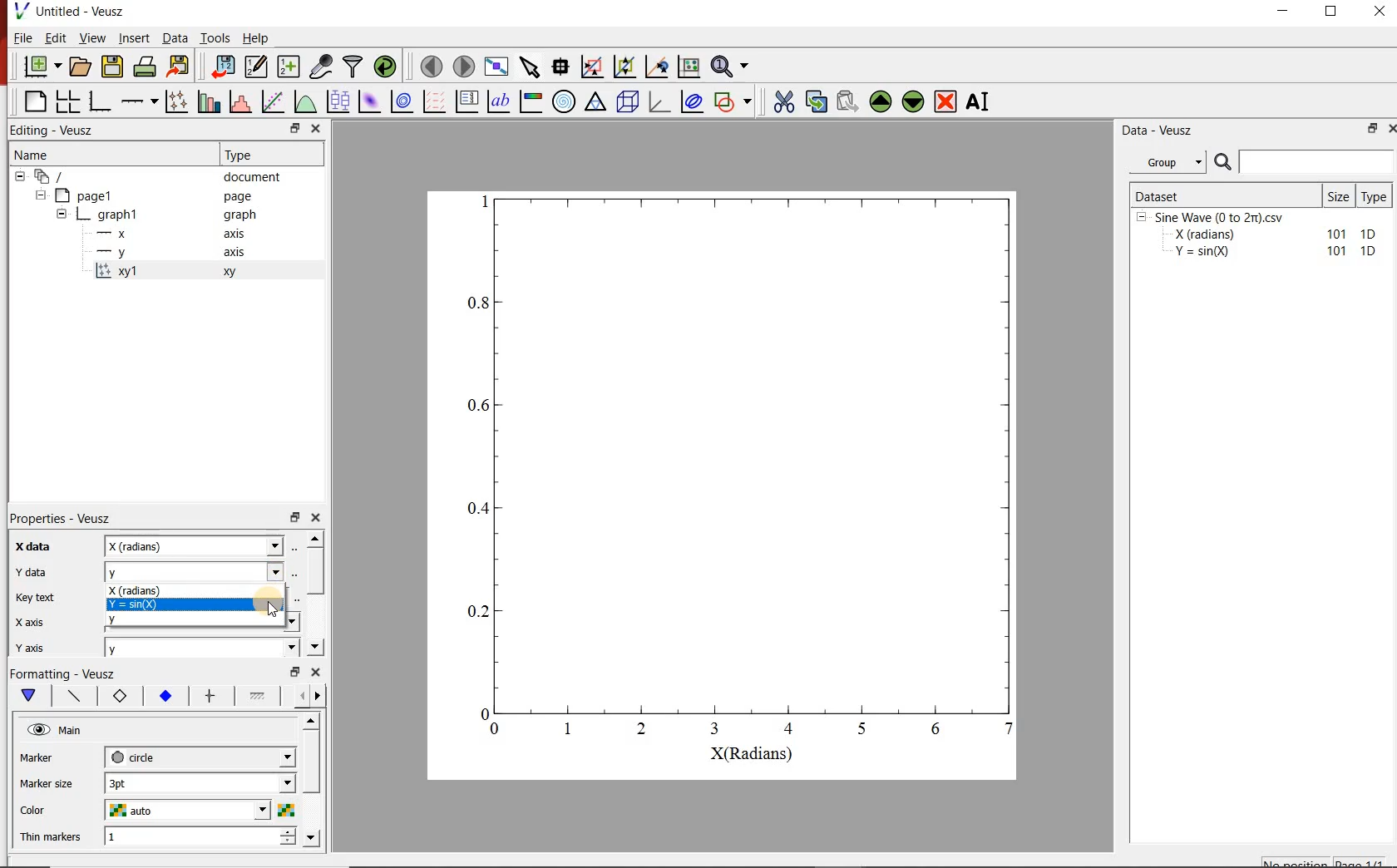  I want to click on plot 2d dataset as contours, so click(402, 101).